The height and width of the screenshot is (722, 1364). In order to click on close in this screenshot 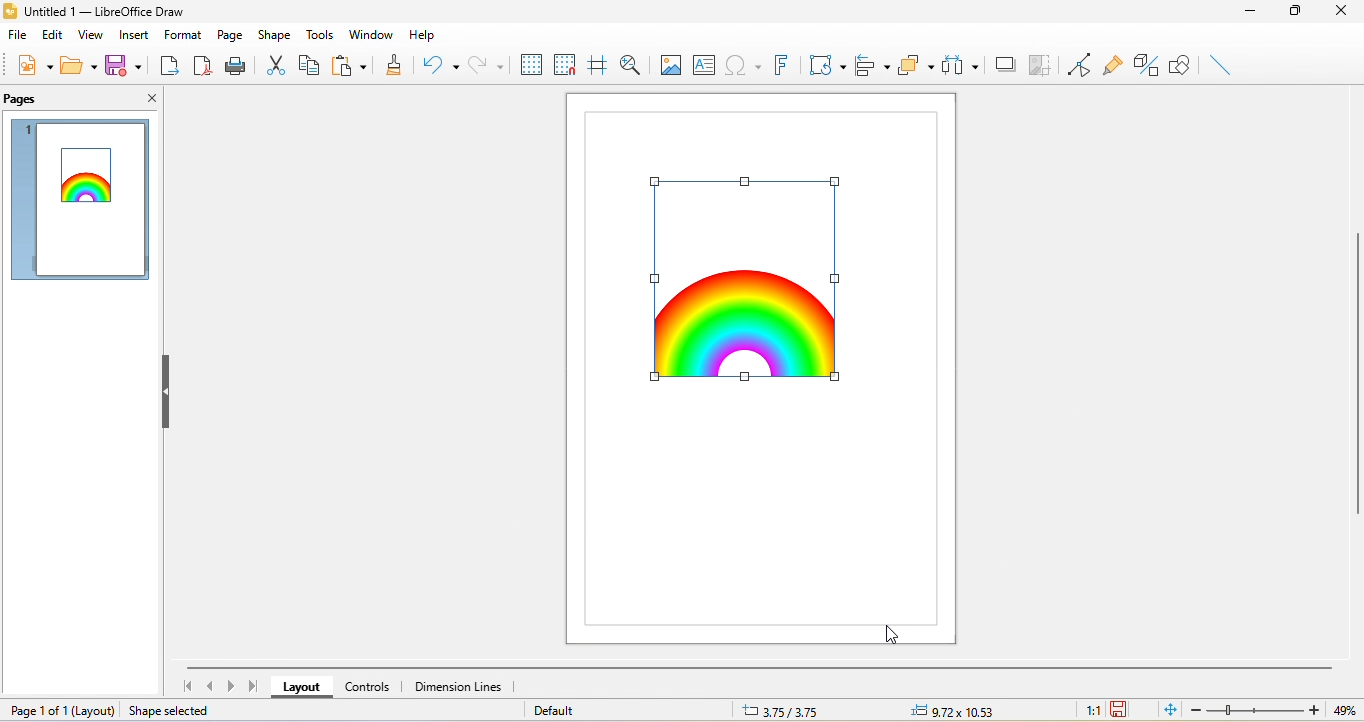, I will do `click(146, 100)`.